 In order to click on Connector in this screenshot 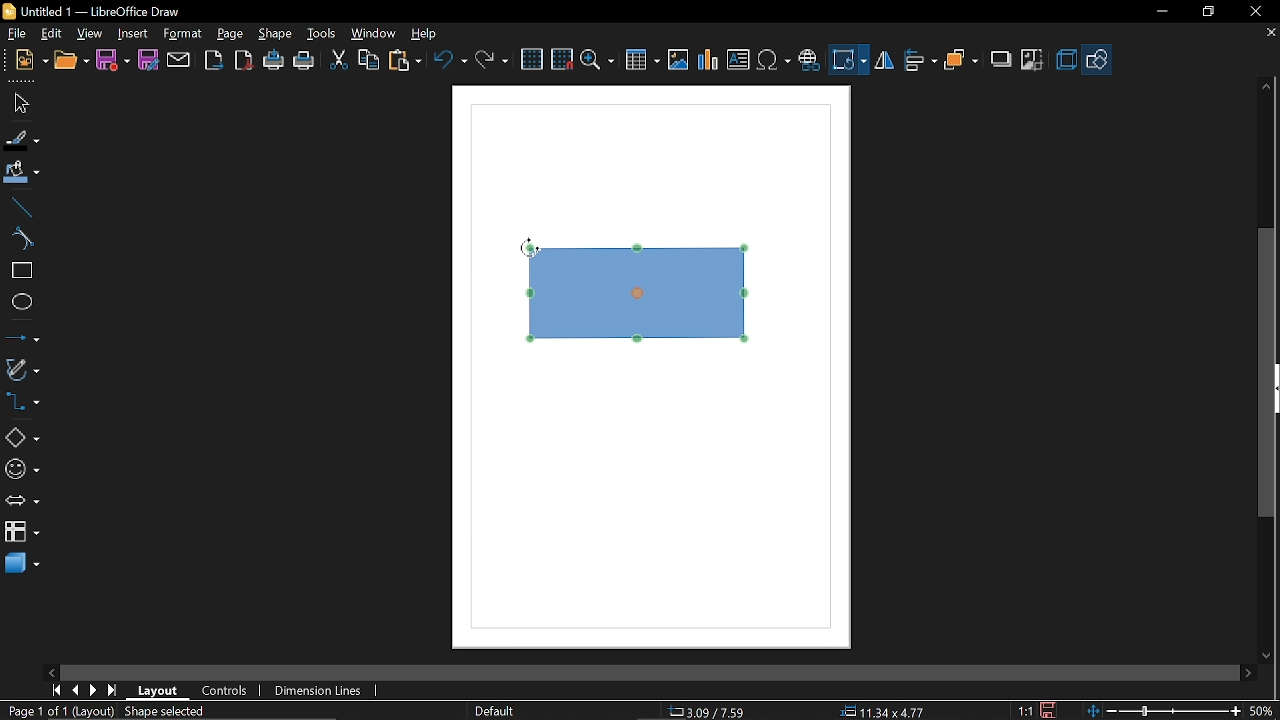, I will do `click(22, 404)`.